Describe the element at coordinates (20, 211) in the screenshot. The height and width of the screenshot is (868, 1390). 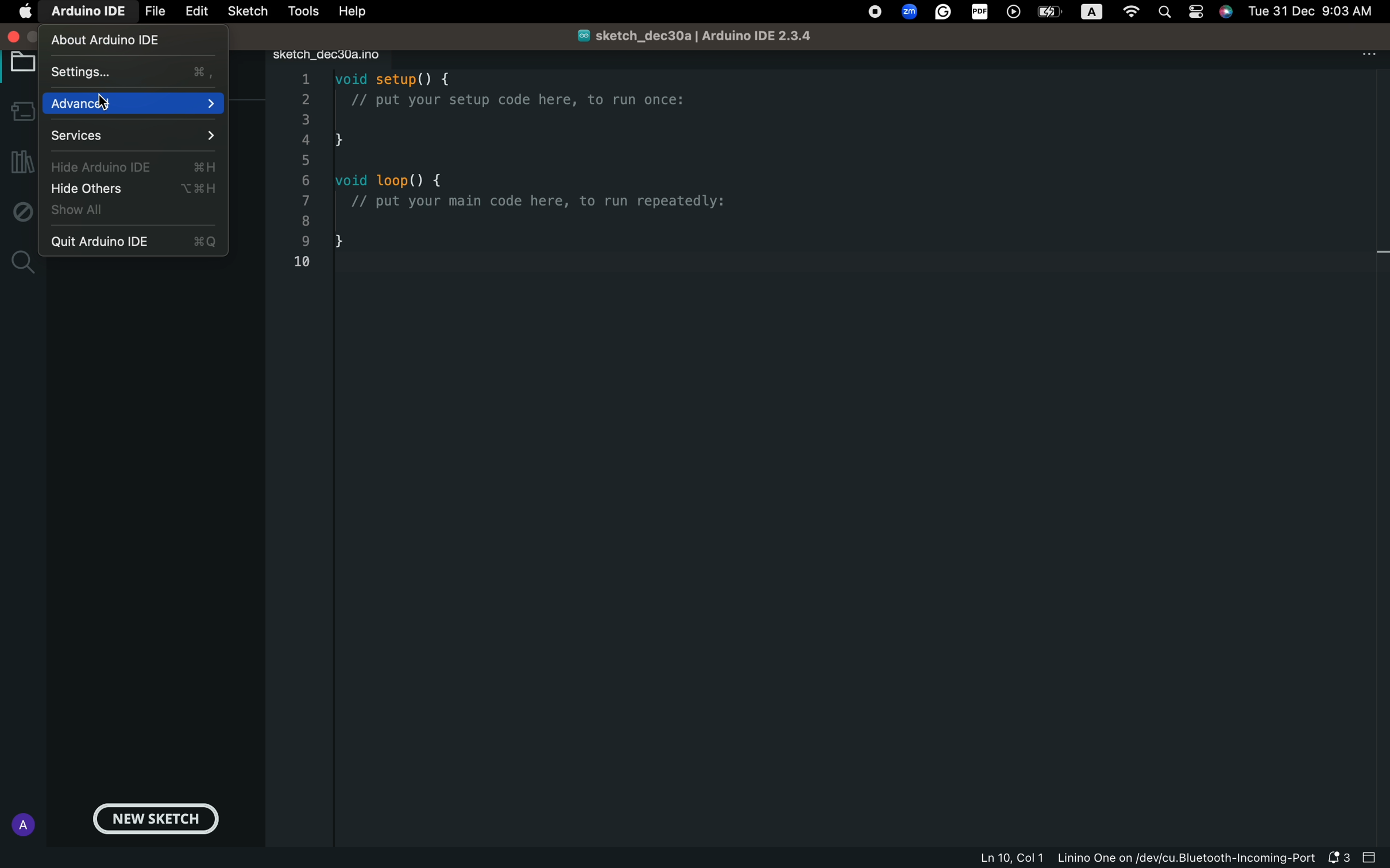
I see `debug` at that location.